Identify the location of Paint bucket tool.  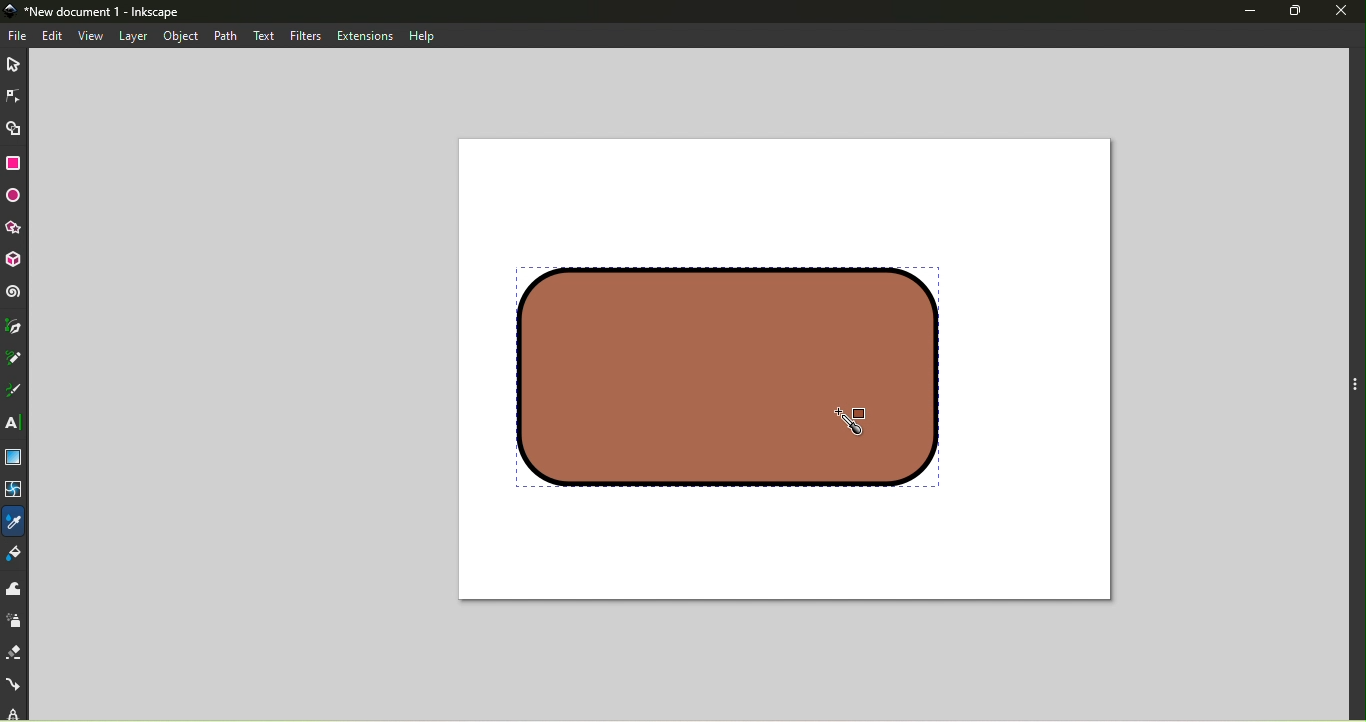
(18, 556).